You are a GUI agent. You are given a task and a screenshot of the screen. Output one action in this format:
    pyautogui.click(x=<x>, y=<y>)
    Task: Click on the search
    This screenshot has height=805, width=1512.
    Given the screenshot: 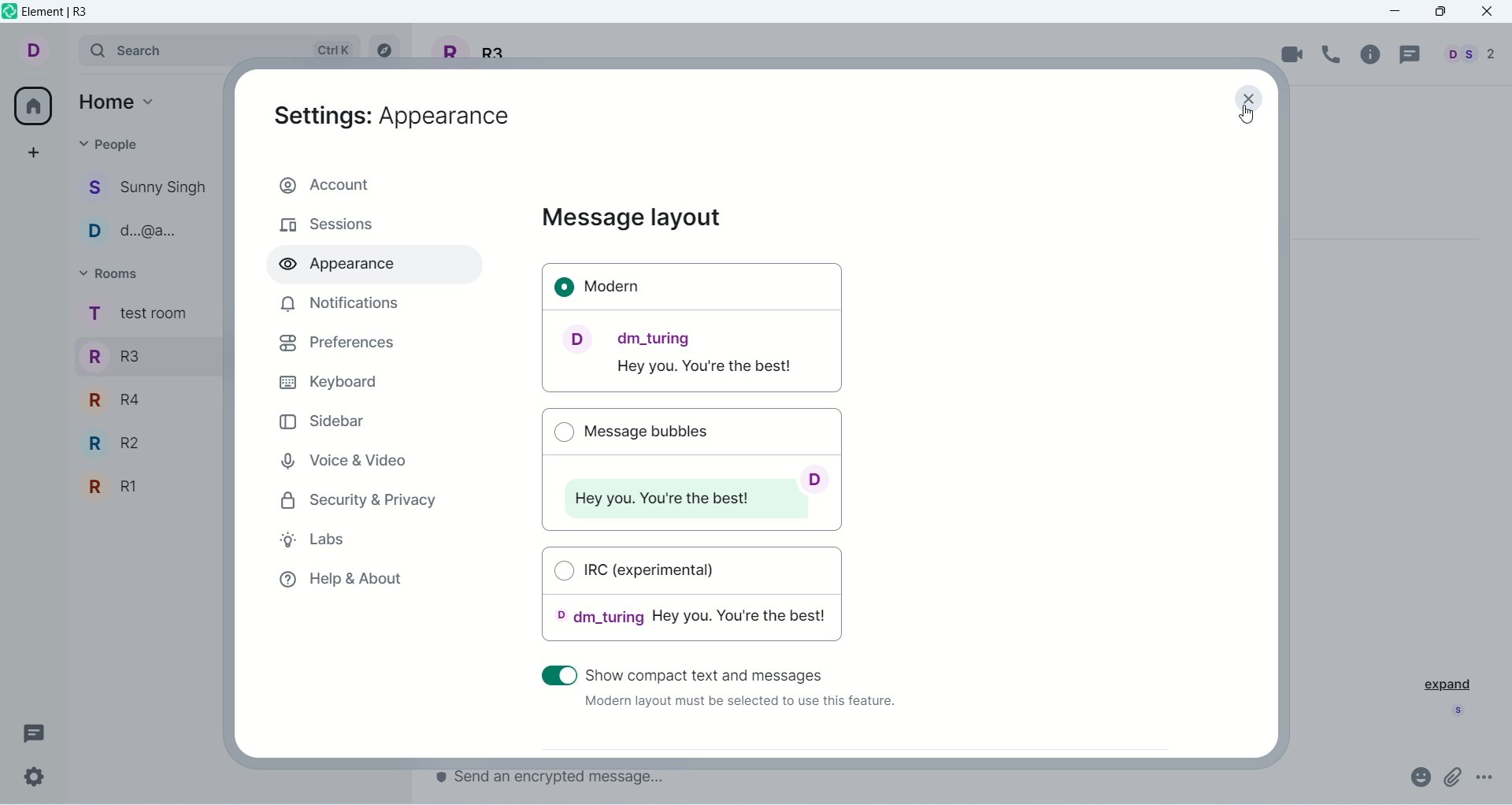 What is the action you would take?
    pyautogui.click(x=221, y=50)
    